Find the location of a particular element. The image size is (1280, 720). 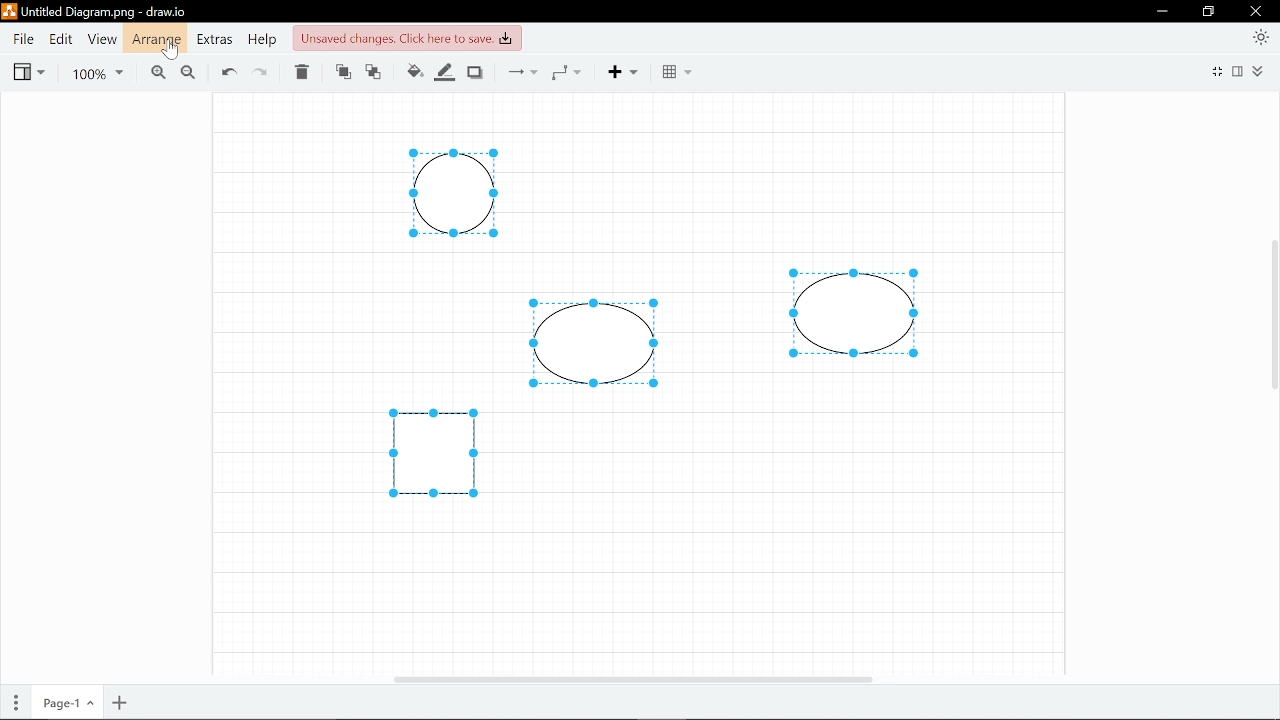

Add is located at coordinates (630, 71).